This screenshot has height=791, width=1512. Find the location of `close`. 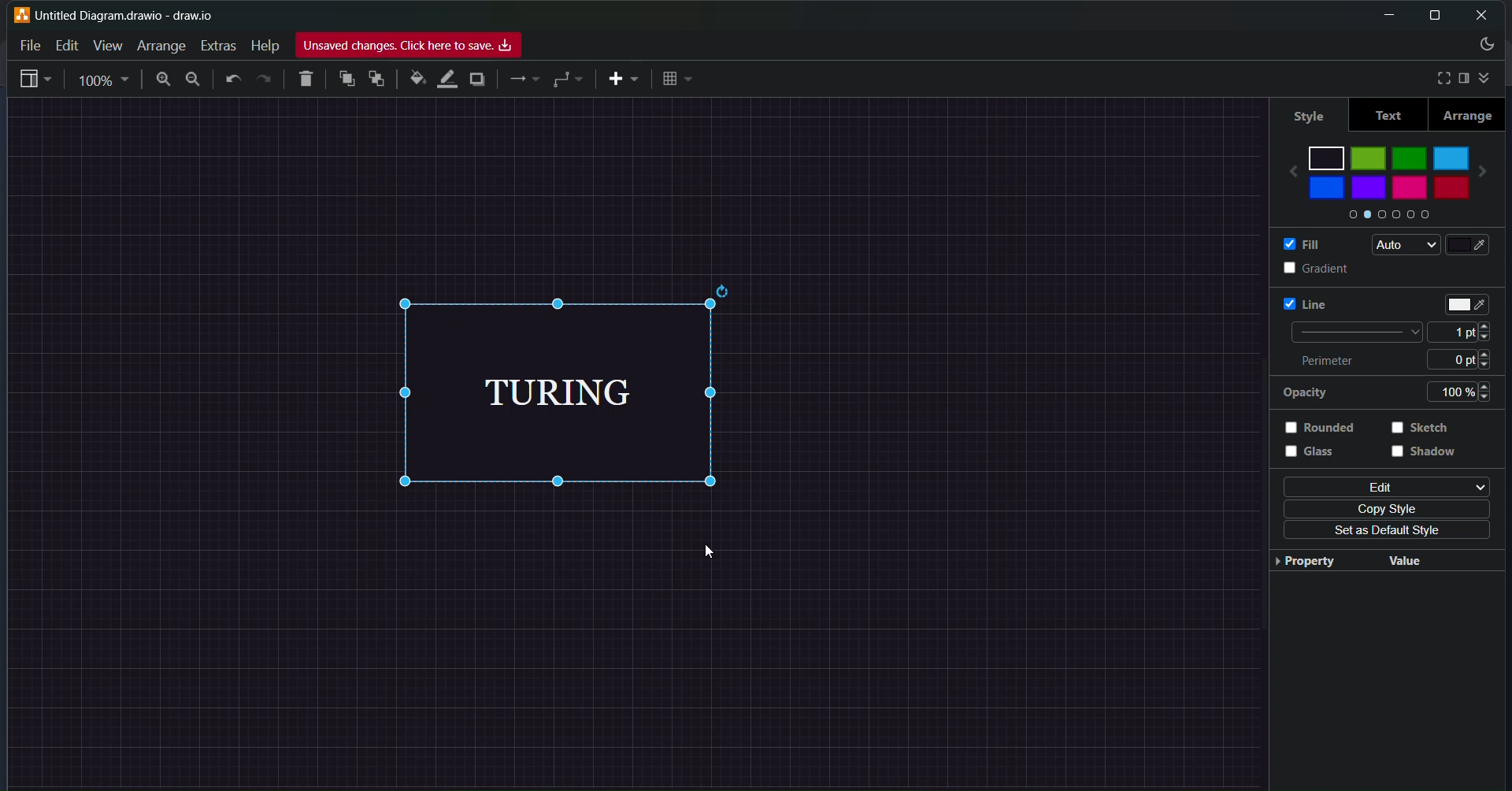

close is located at coordinates (1483, 15).